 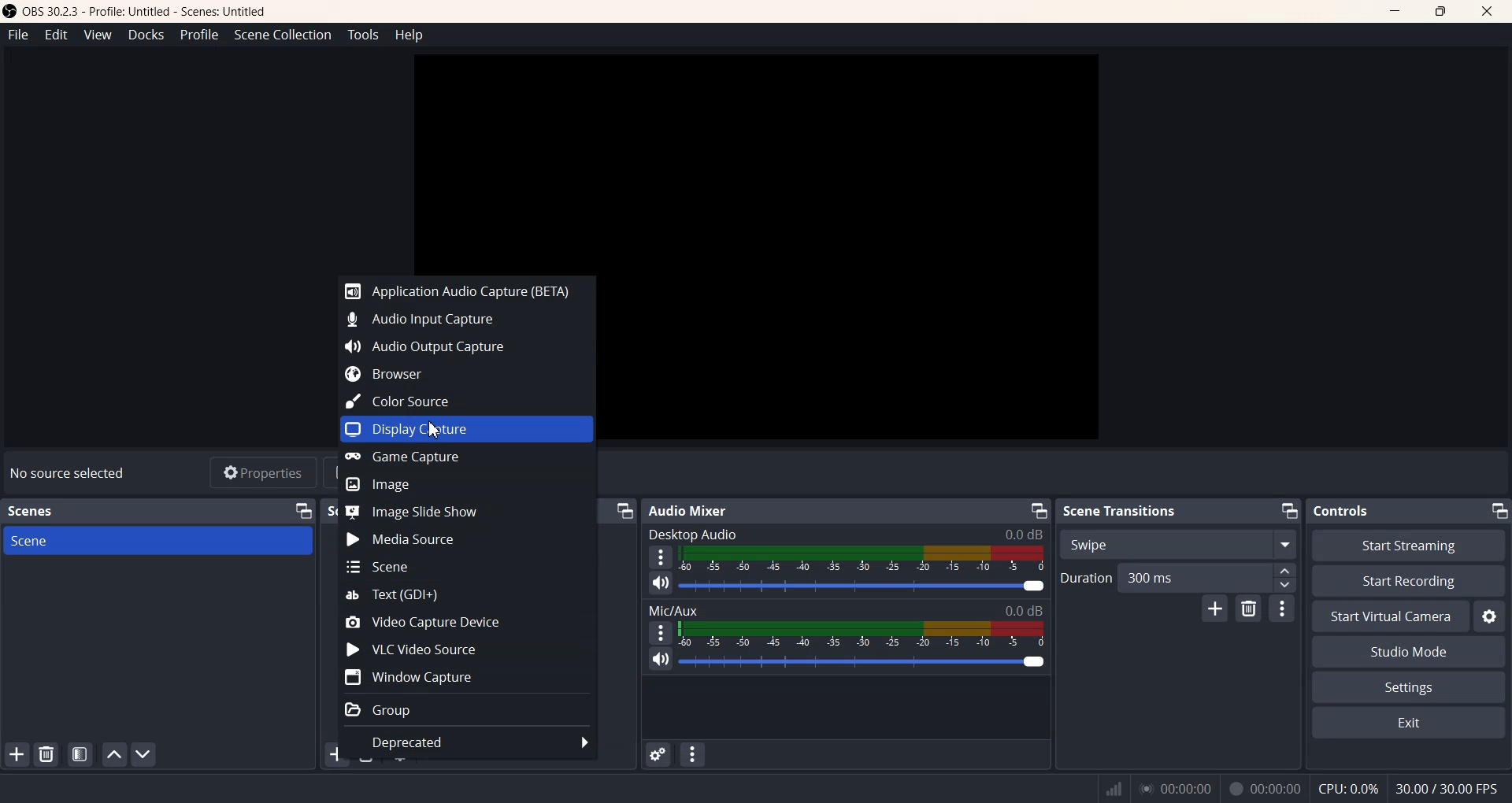 What do you see at coordinates (1040, 511) in the screenshot?
I see `Minimize` at bounding box center [1040, 511].